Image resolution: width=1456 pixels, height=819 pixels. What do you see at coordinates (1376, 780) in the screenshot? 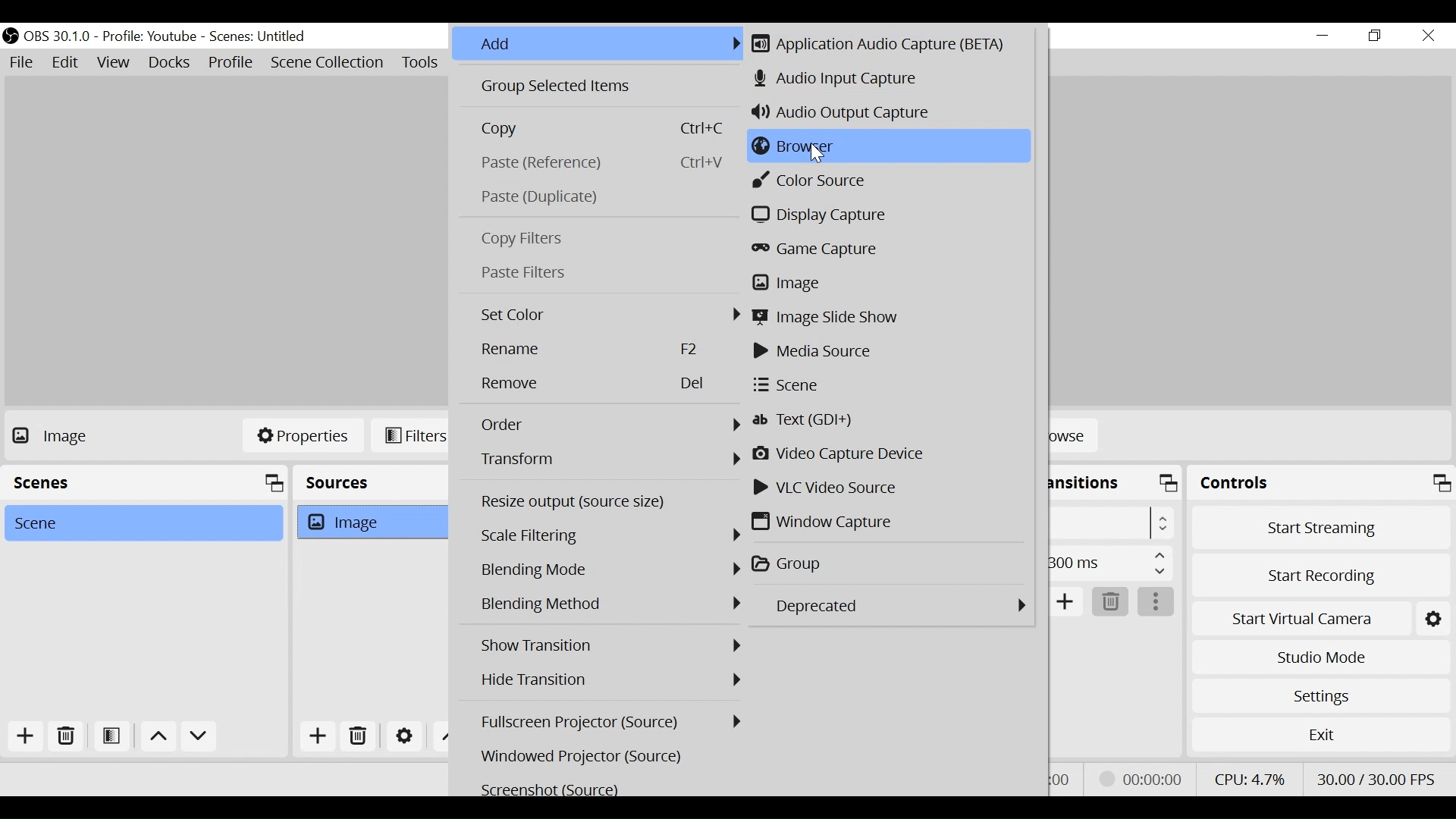
I see `Frame Per Second` at bounding box center [1376, 780].